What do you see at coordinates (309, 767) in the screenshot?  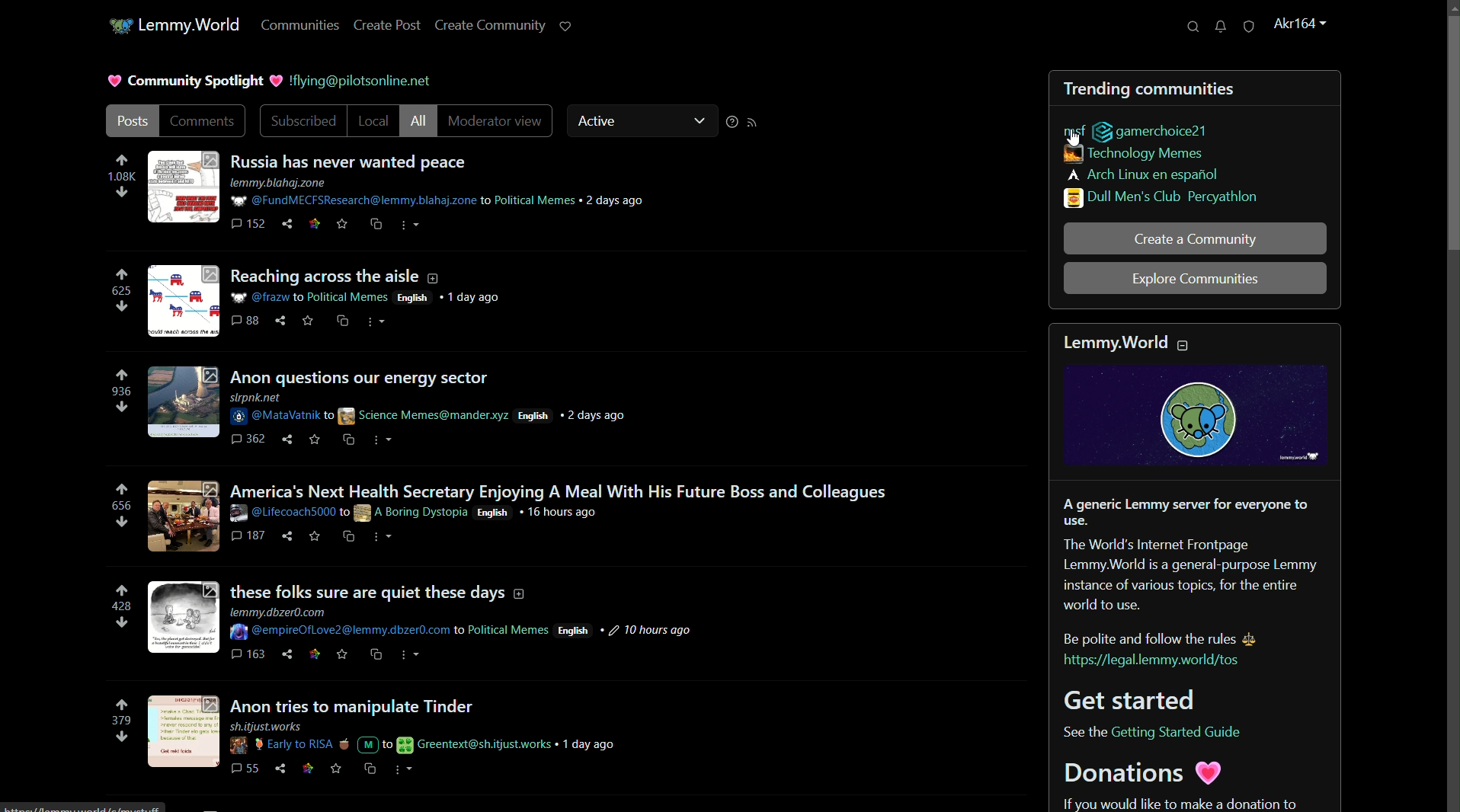 I see `link` at bounding box center [309, 767].